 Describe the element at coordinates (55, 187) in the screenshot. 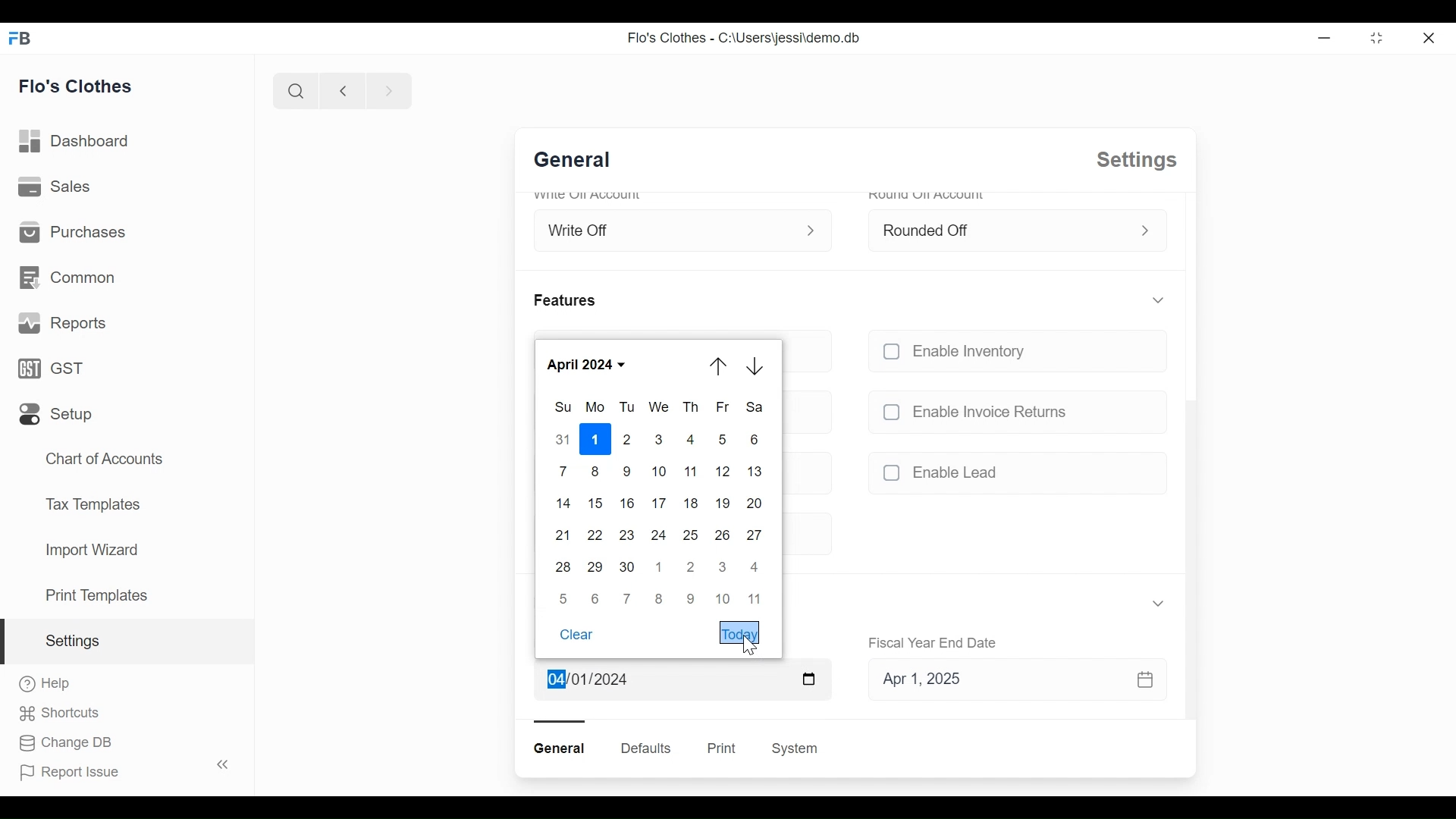

I see `Sales` at that location.